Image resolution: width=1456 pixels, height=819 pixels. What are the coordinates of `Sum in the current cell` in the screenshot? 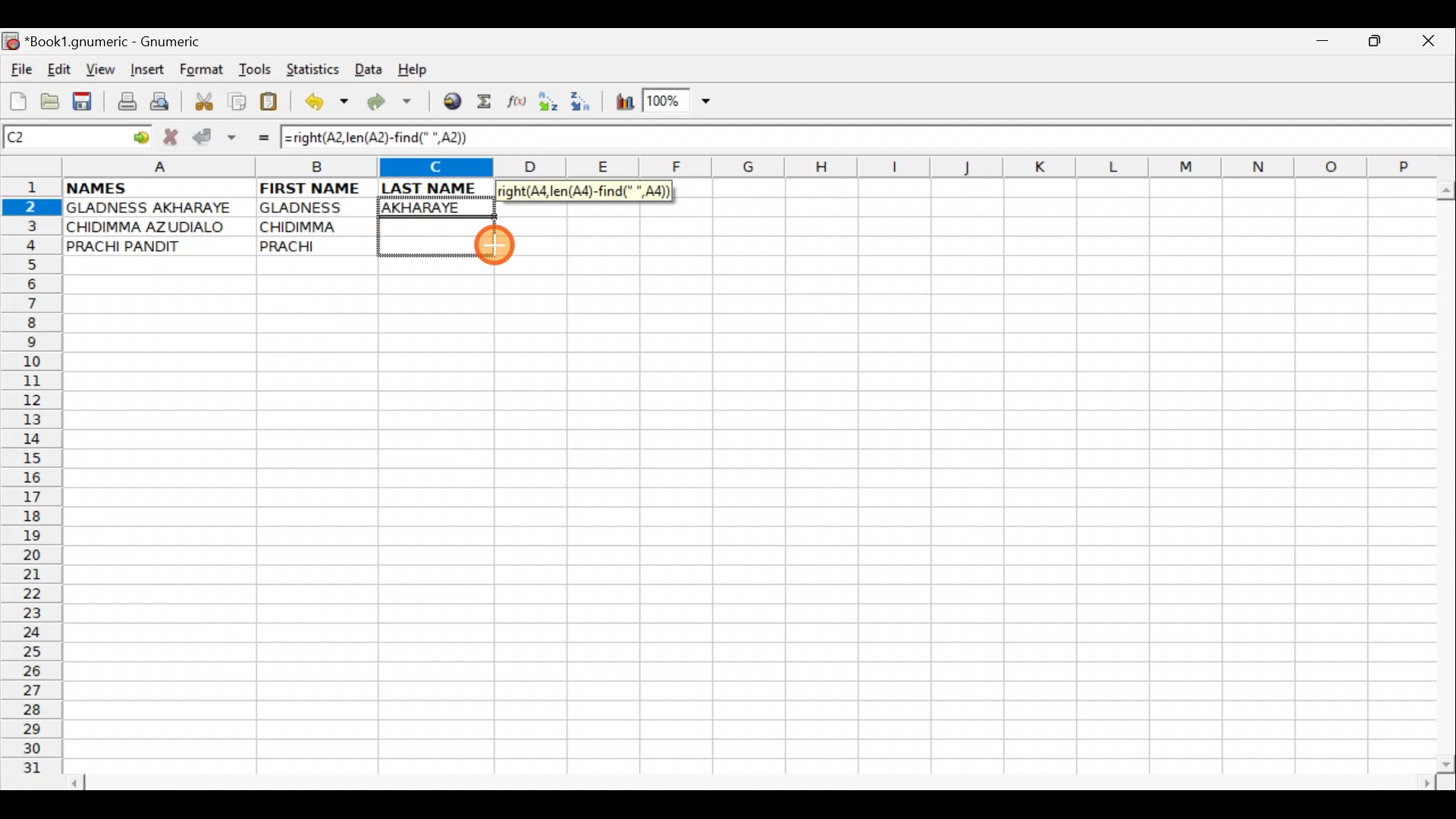 It's located at (489, 102).